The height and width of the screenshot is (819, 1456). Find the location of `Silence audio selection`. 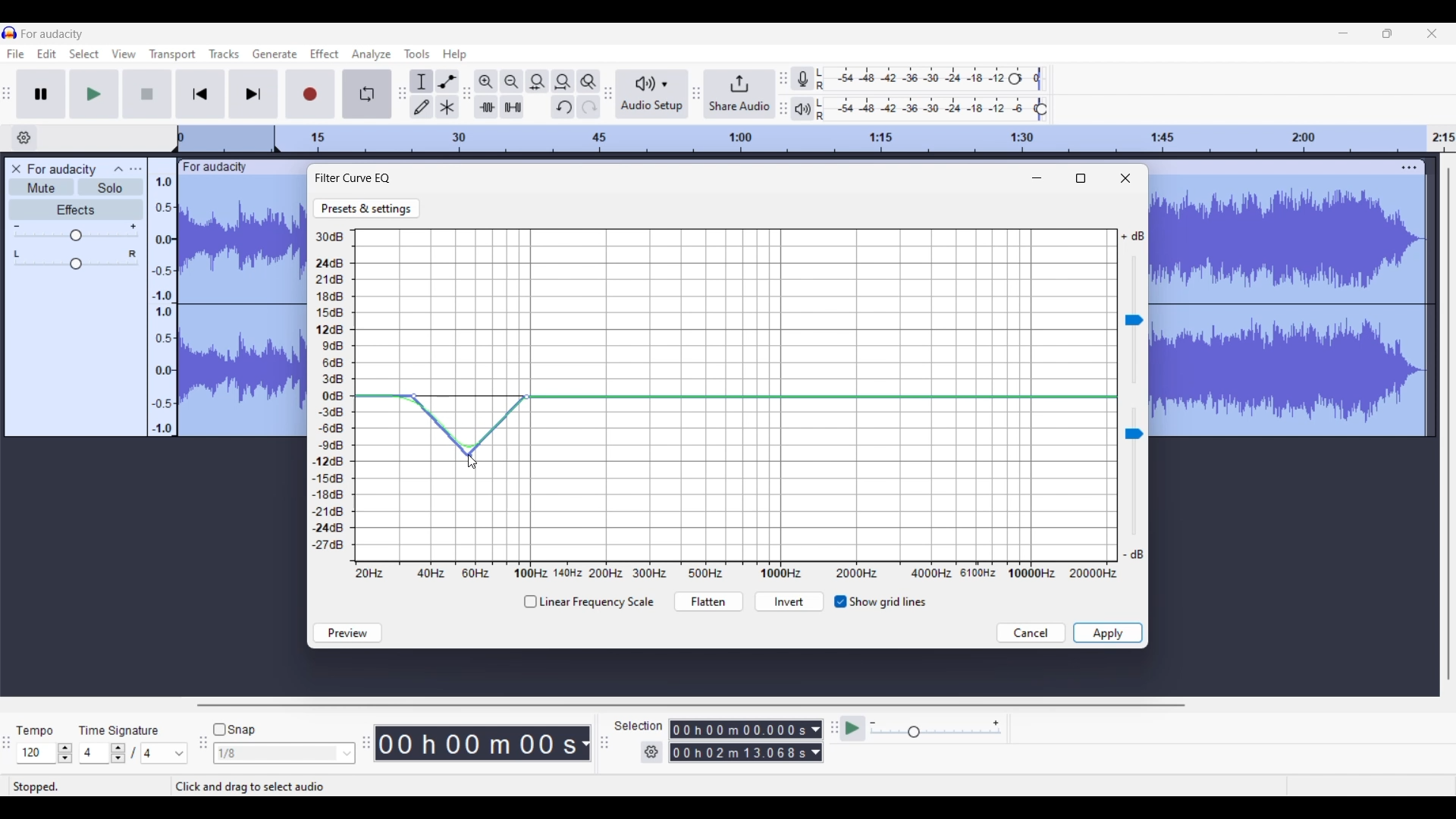

Silence audio selection is located at coordinates (512, 107).